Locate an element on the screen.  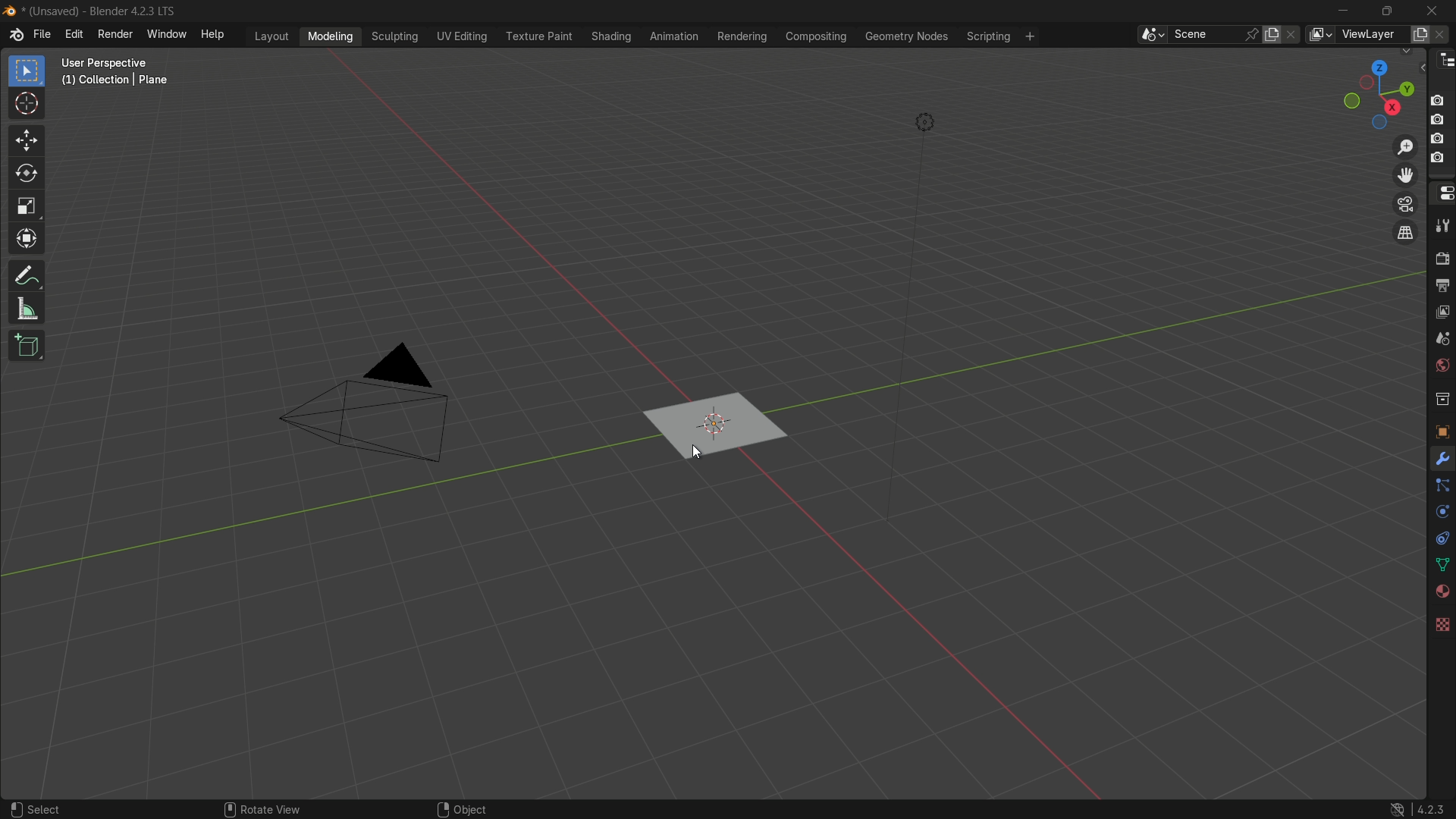
output is located at coordinates (1441, 284).